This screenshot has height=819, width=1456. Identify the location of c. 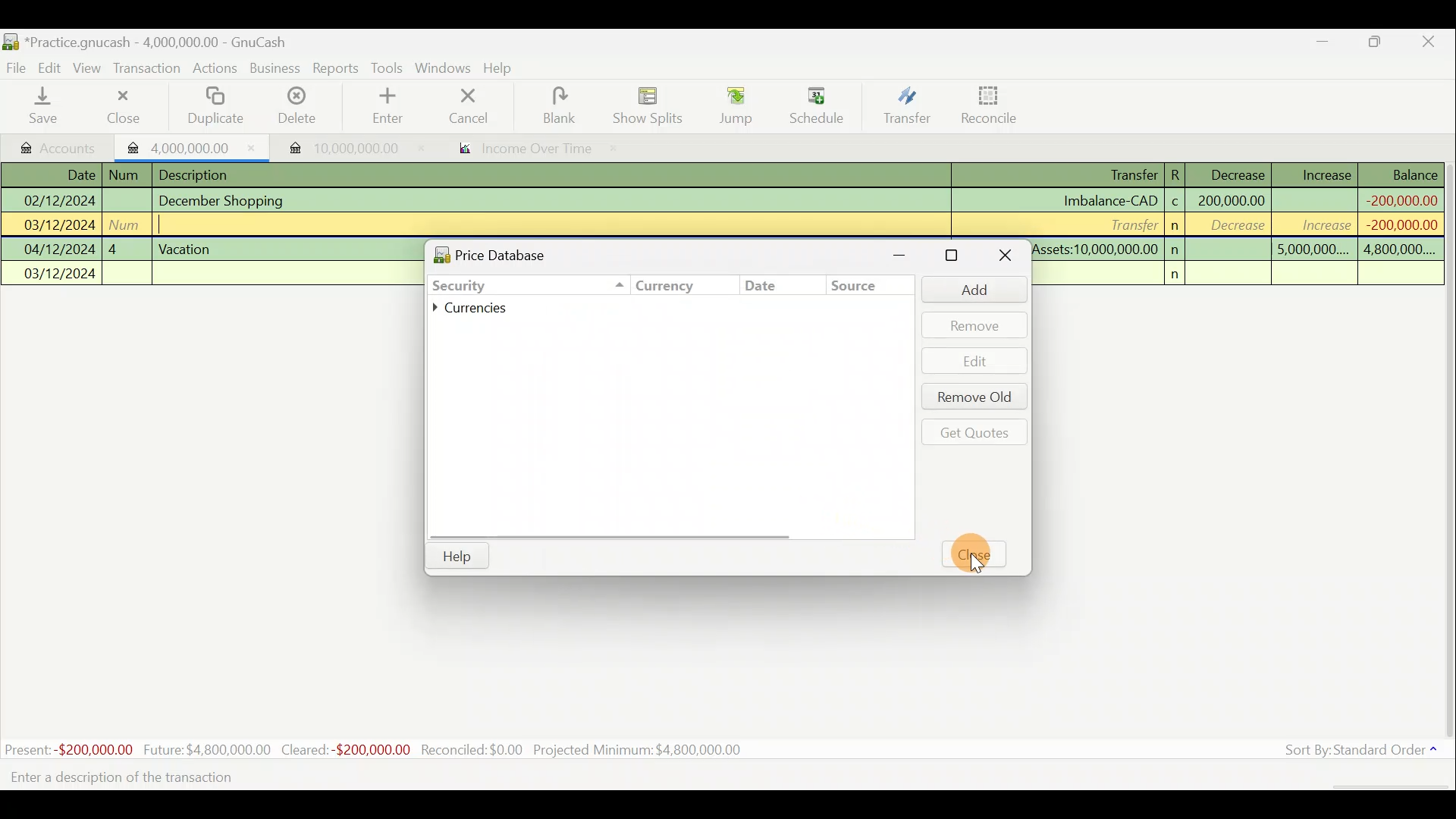
(1175, 203).